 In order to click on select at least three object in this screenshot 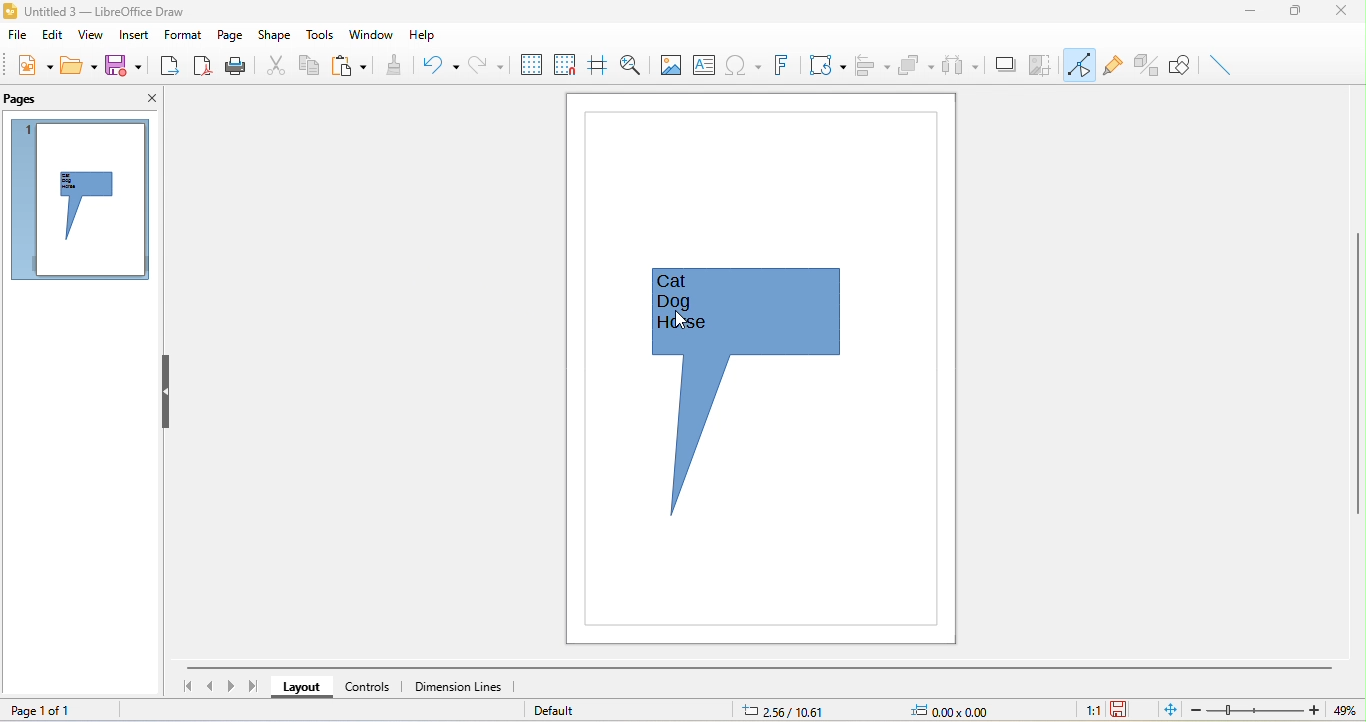, I will do `click(957, 66)`.